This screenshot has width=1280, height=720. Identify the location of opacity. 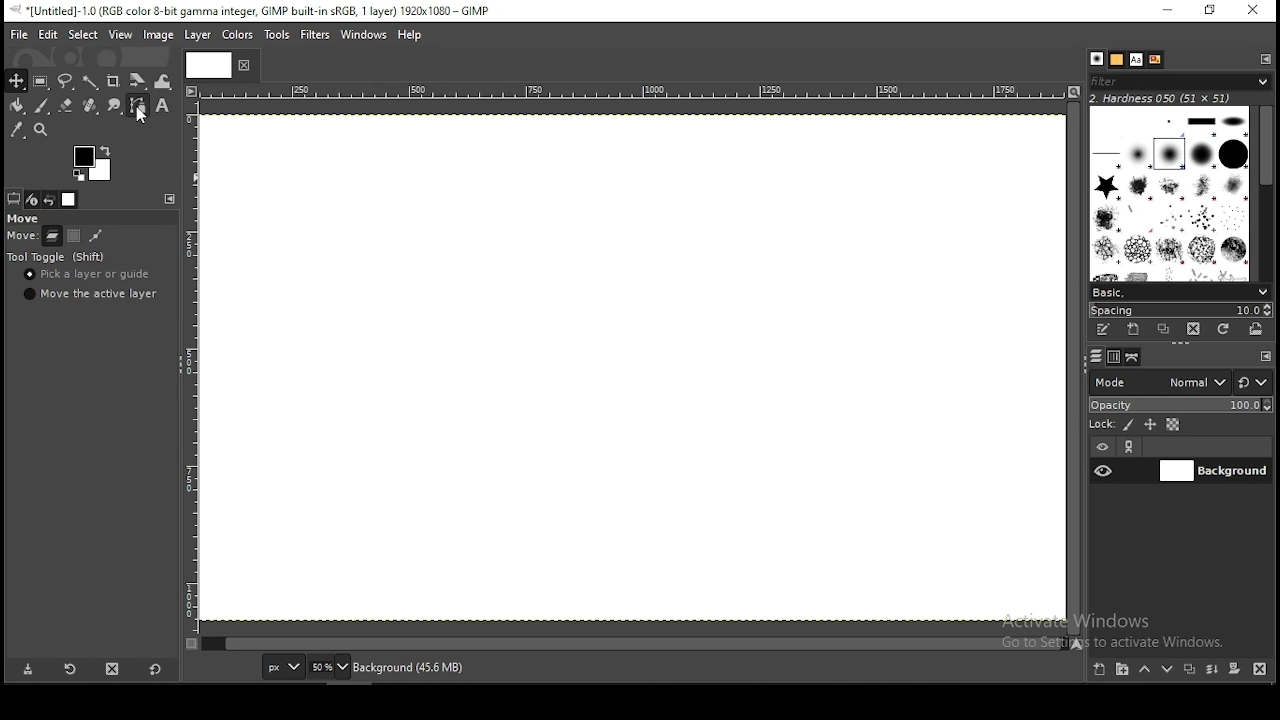
(1180, 406).